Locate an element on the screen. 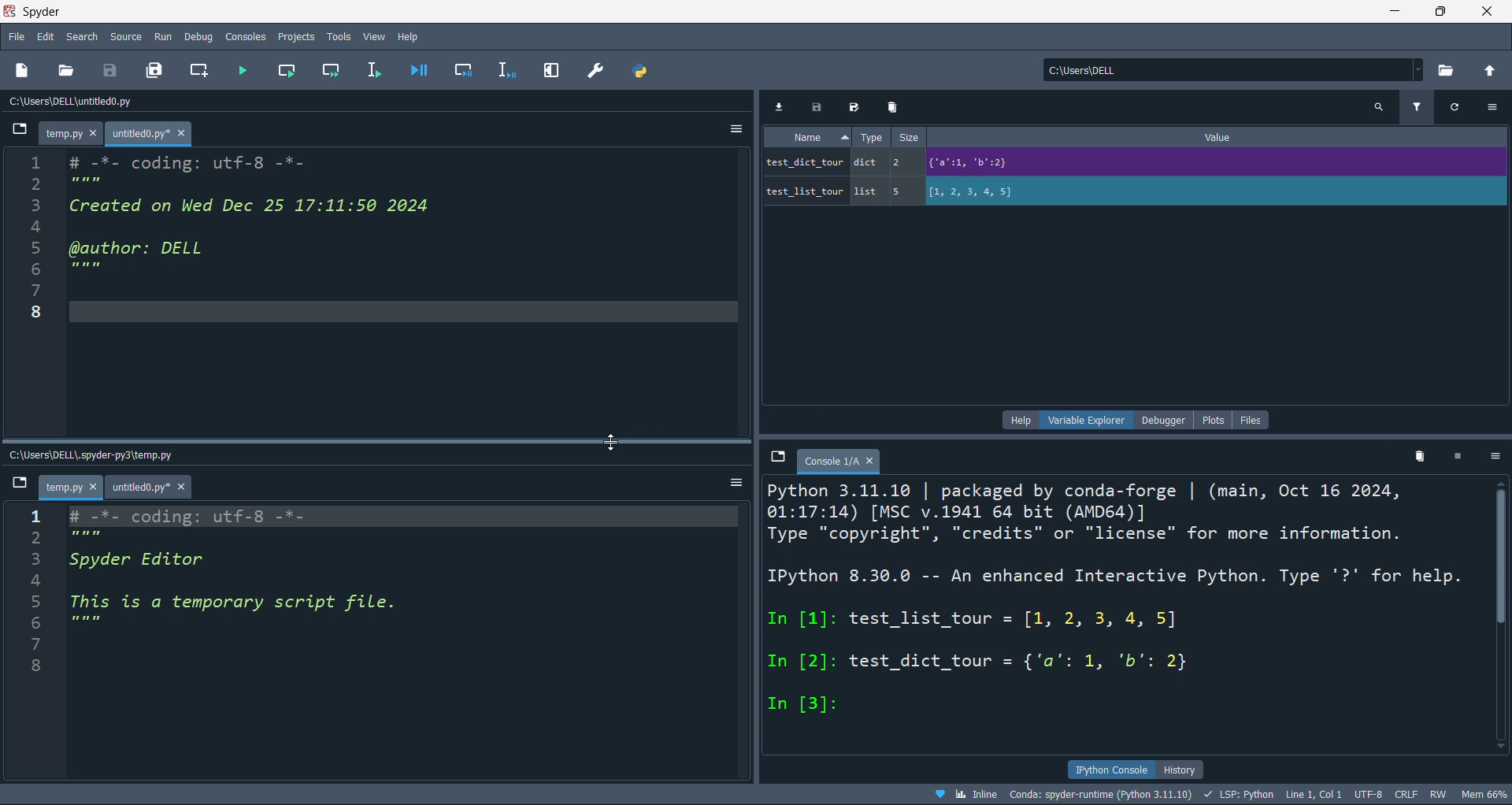 This screenshot has height=805, width=1512. 6 ''''''' is located at coordinates (83, 269).